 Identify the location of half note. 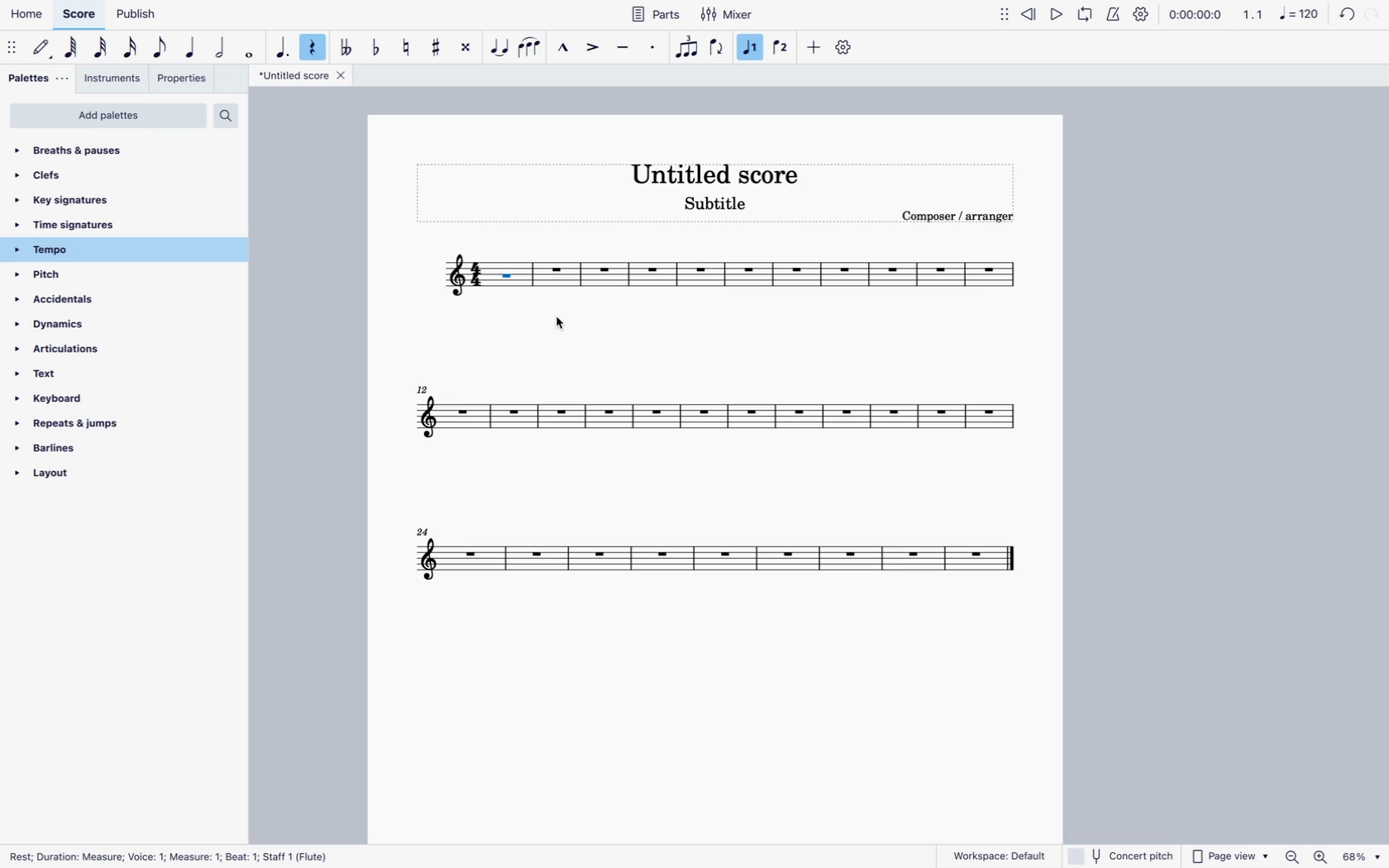
(223, 49).